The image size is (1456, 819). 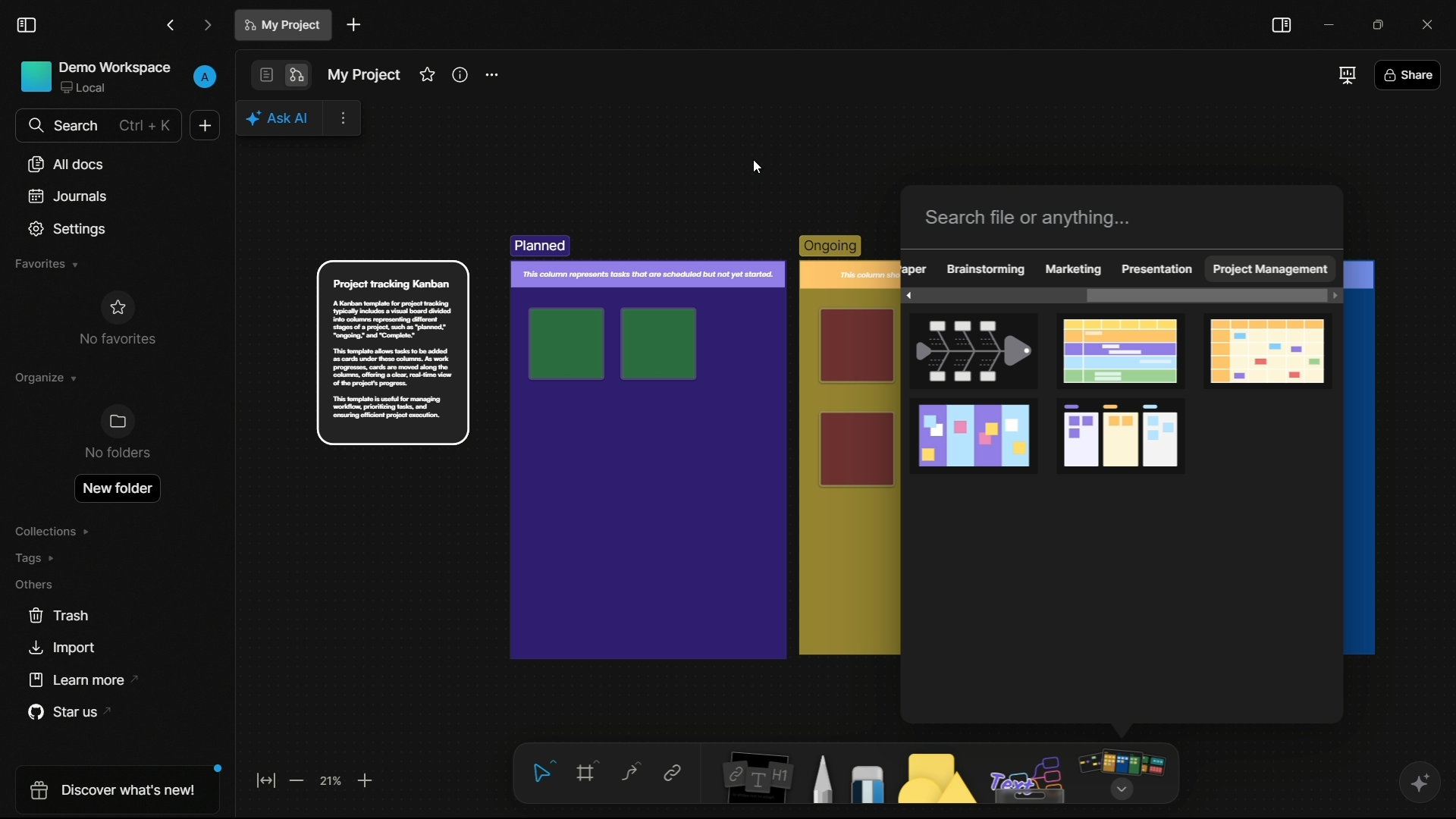 What do you see at coordinates (1198, 296) in the screenshot?
I see `scroll bar` at bounding box center [1198, 296].